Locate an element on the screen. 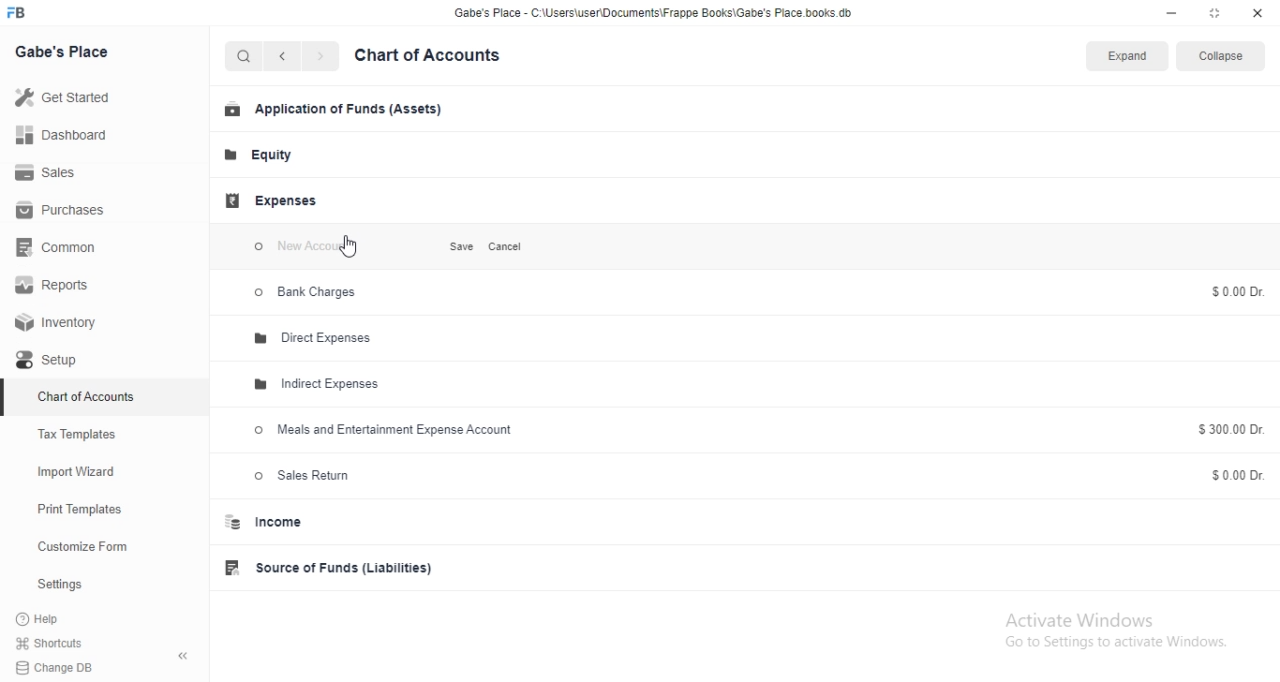  New account is located at coordinates (324, 246).